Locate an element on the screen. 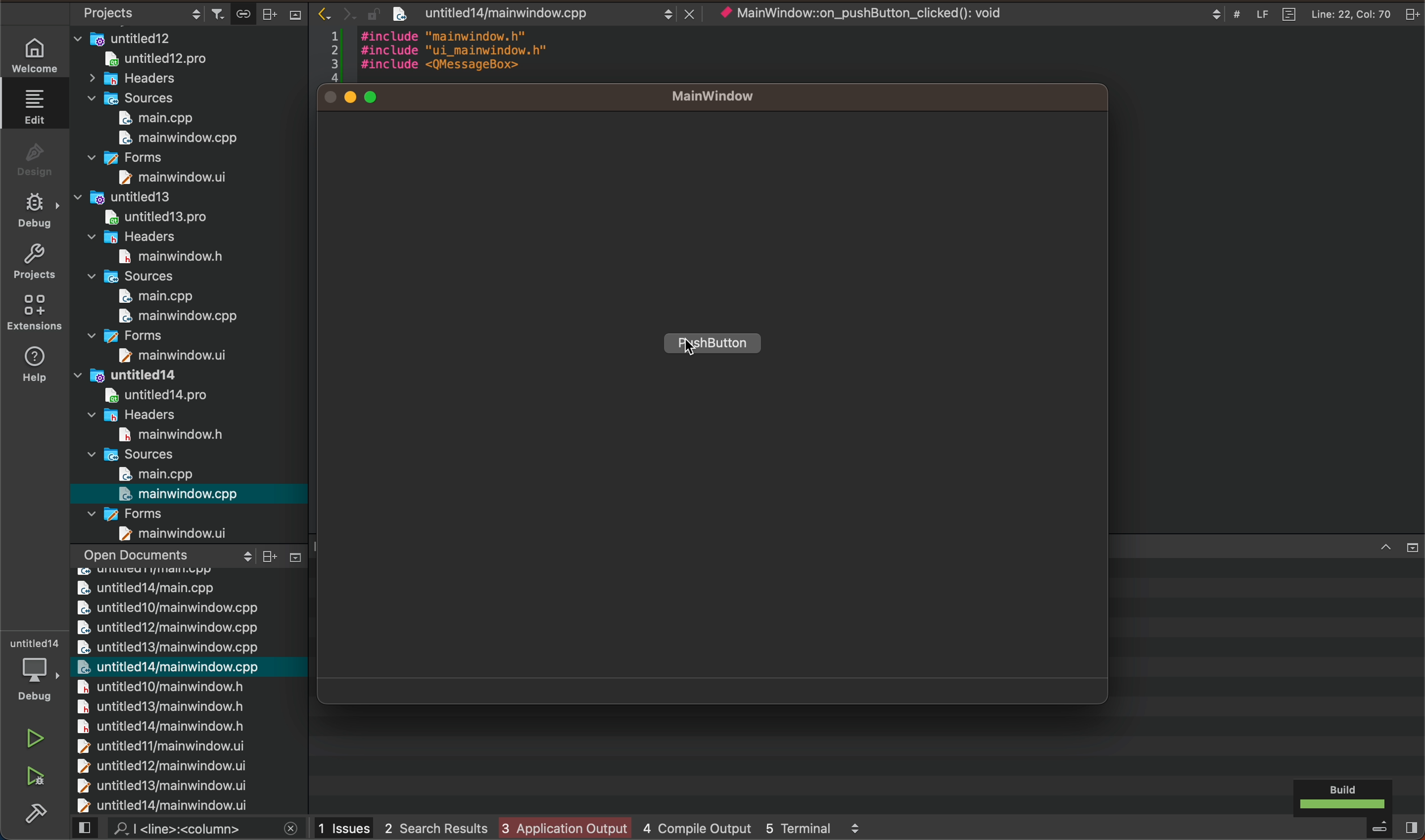  close slide bar is located at coordinates (1383, 828).